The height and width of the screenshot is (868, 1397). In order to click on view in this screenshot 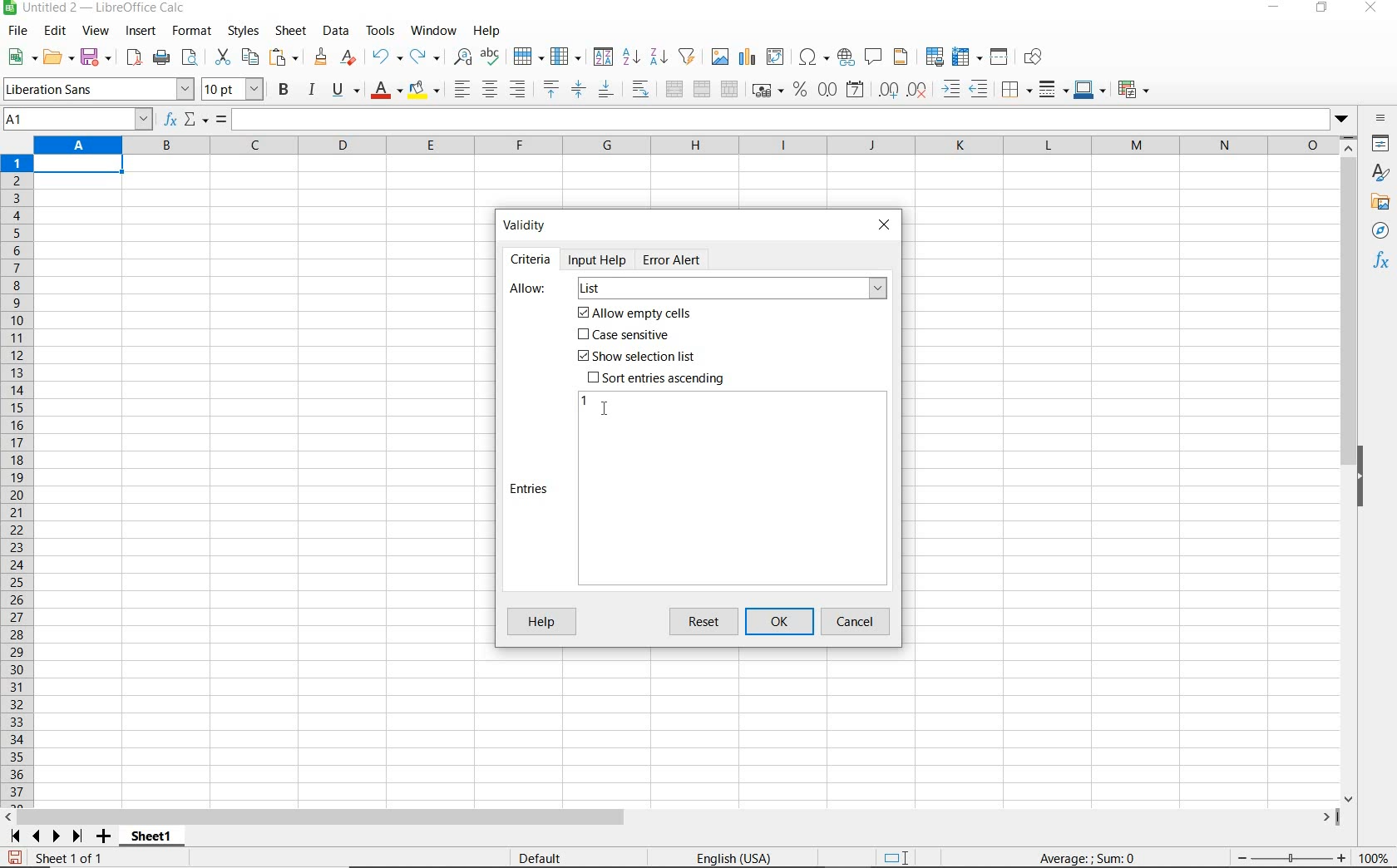, I will do `click(96, 32)`.